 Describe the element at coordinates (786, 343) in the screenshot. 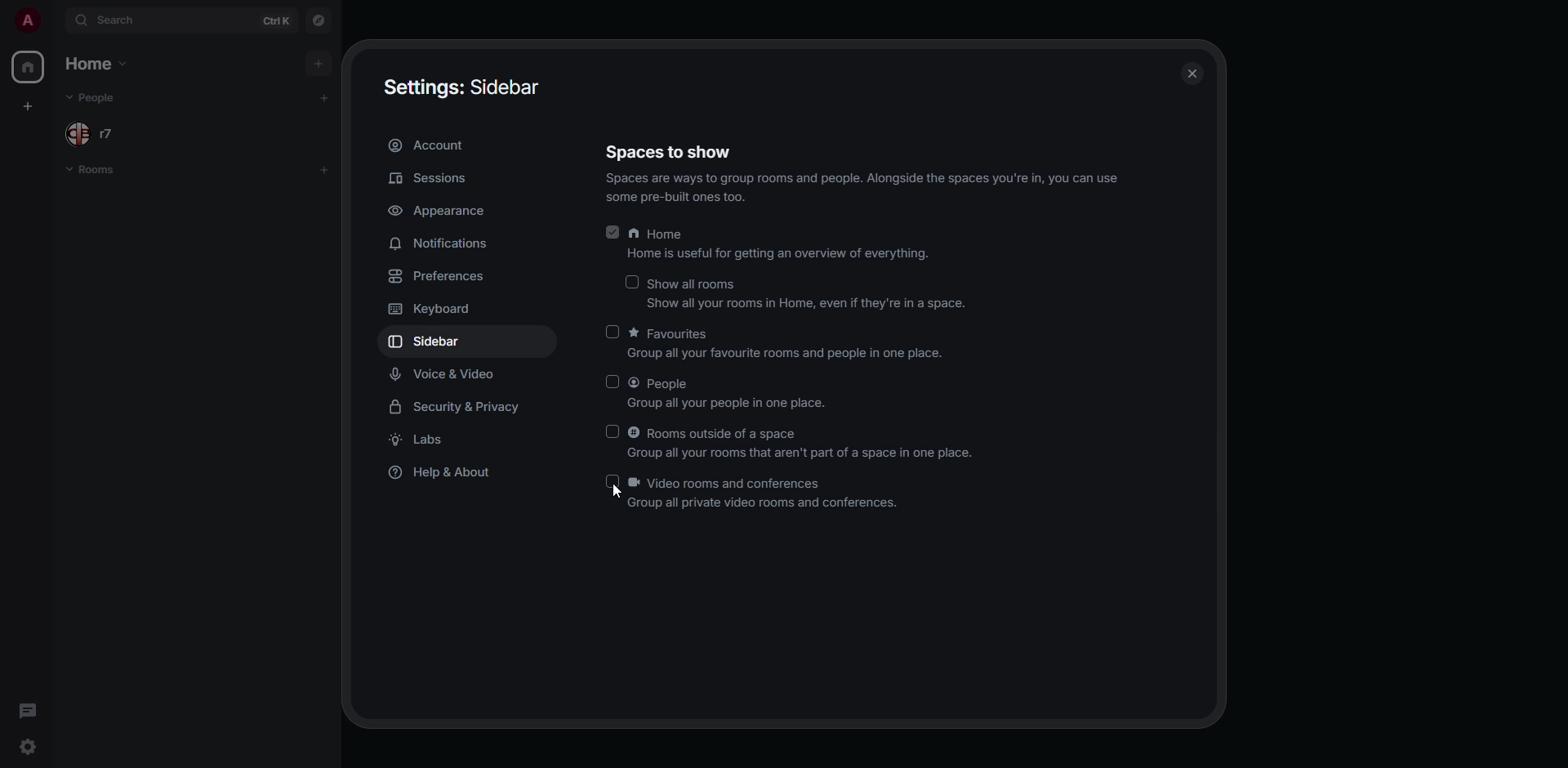

I see `favorites` at that location.